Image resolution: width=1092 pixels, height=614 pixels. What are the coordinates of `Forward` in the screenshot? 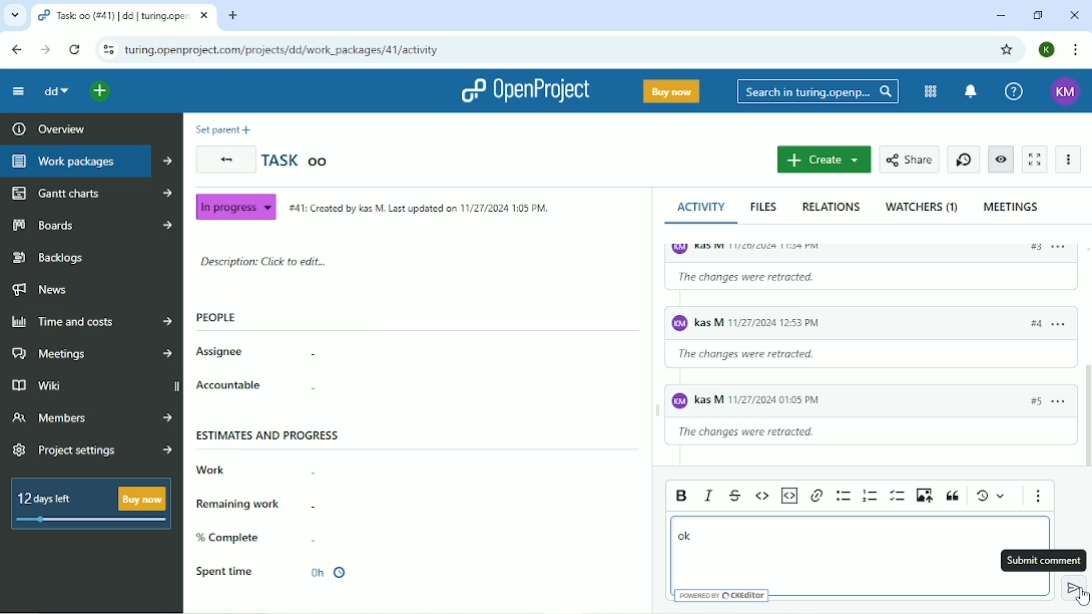 It's located at (45, 50).